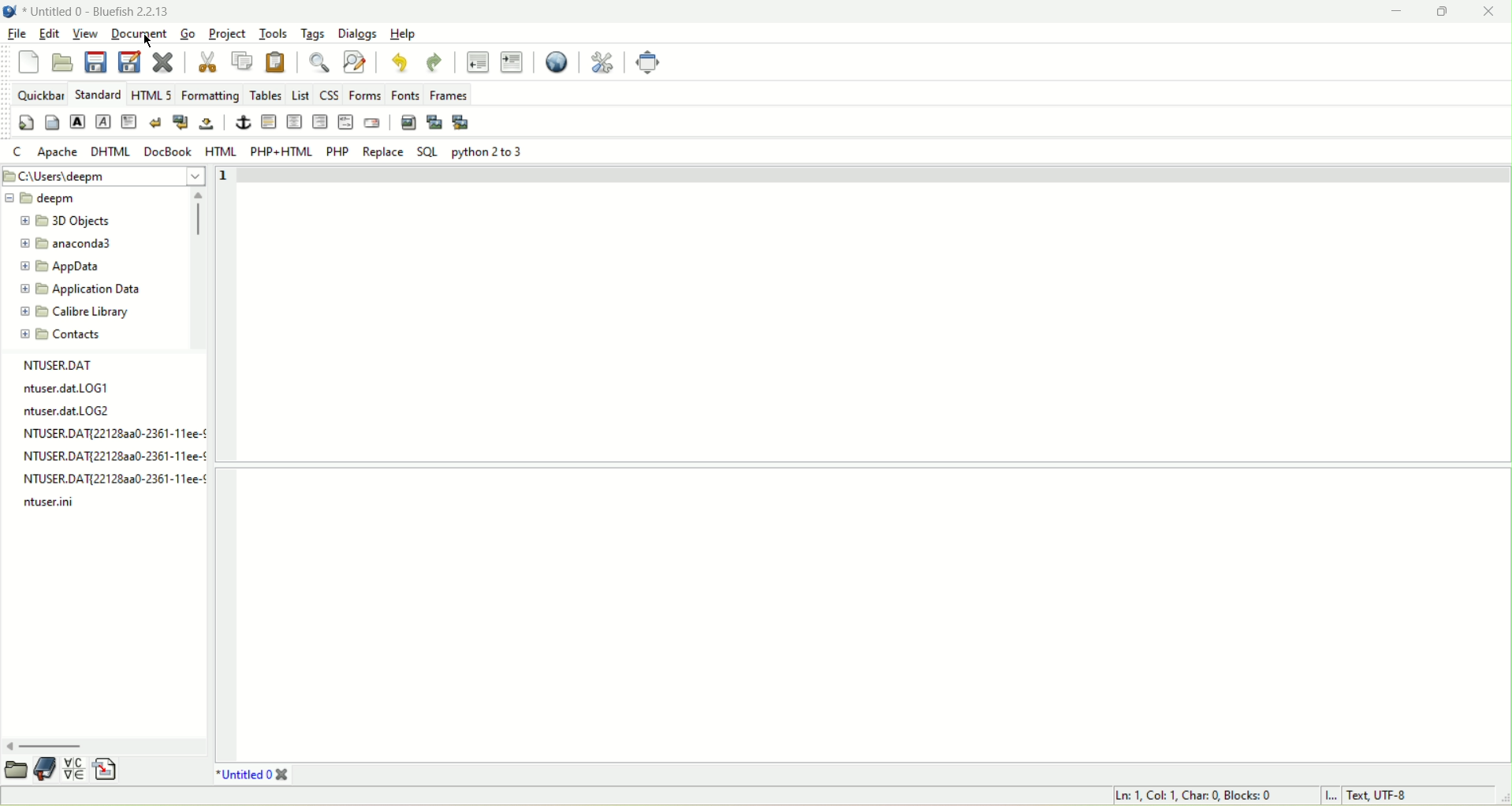 The width and height of the screenshot is (1512, 806). Describe the element at coordinates (320, 62) in the screenshot. I see `find` at that location.